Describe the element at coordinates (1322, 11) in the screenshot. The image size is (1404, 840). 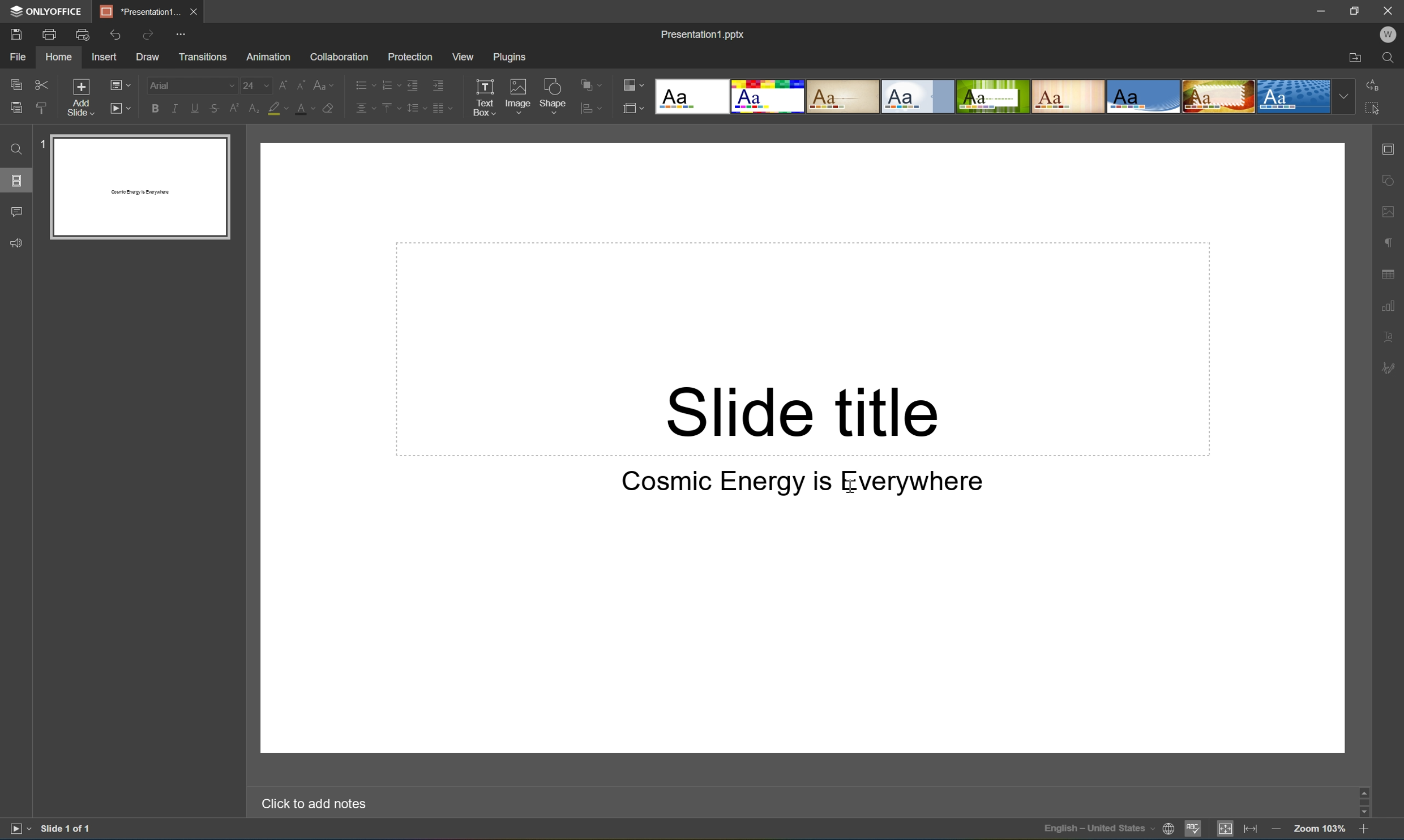
I see `Minimize` at that location.